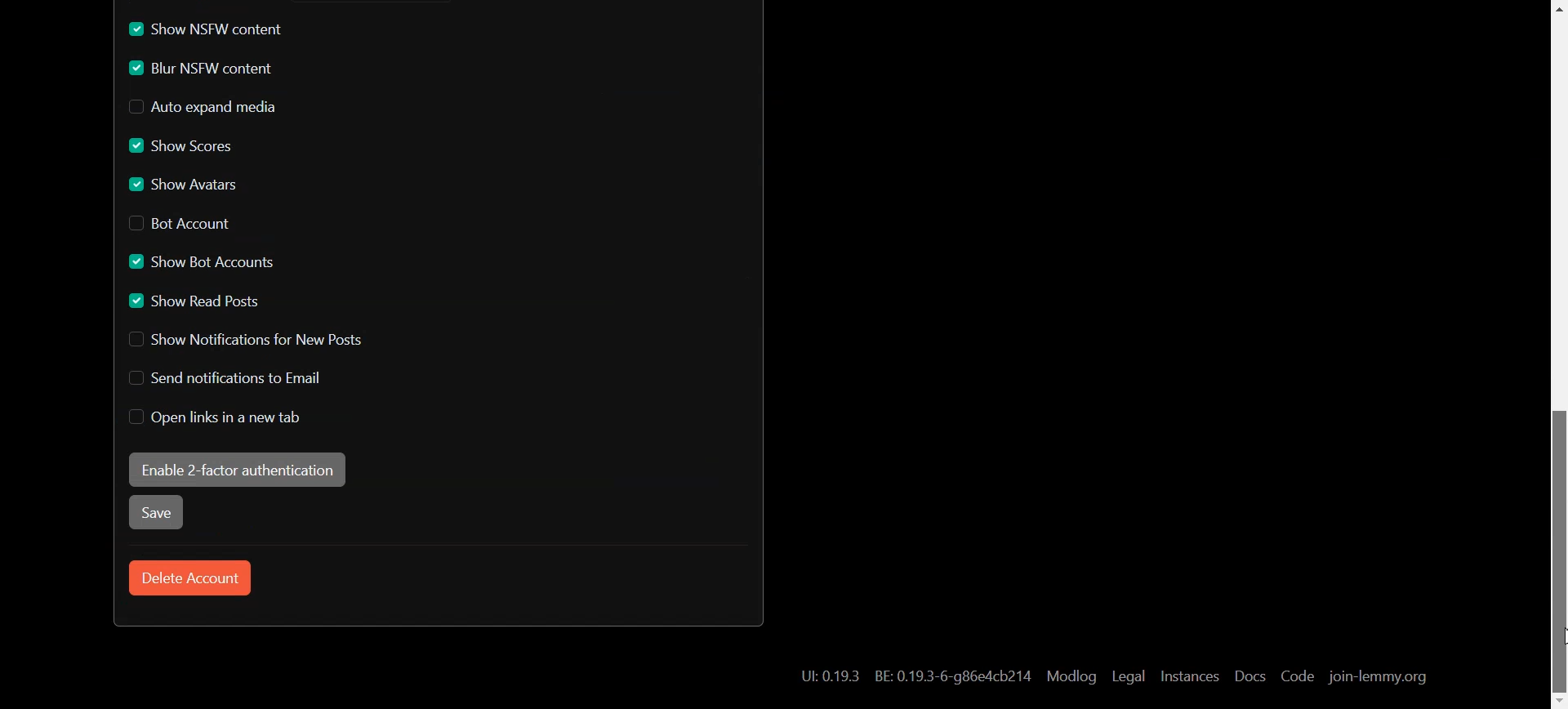 The height and width of the screenshot is (709, 1568). I want to click on Code, so click(1298, 676).